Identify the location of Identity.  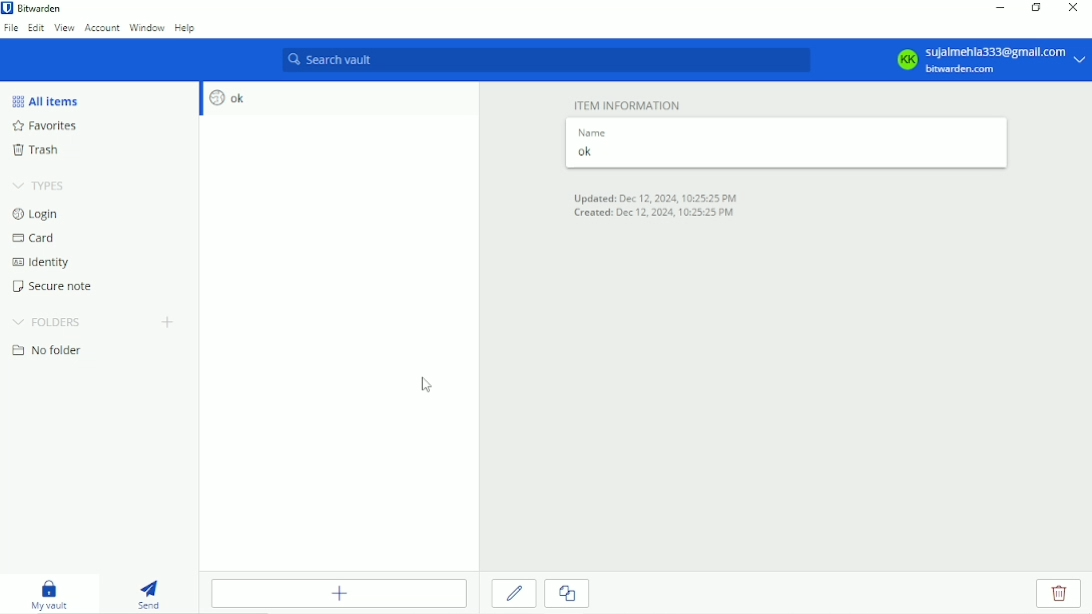
(47, 264).